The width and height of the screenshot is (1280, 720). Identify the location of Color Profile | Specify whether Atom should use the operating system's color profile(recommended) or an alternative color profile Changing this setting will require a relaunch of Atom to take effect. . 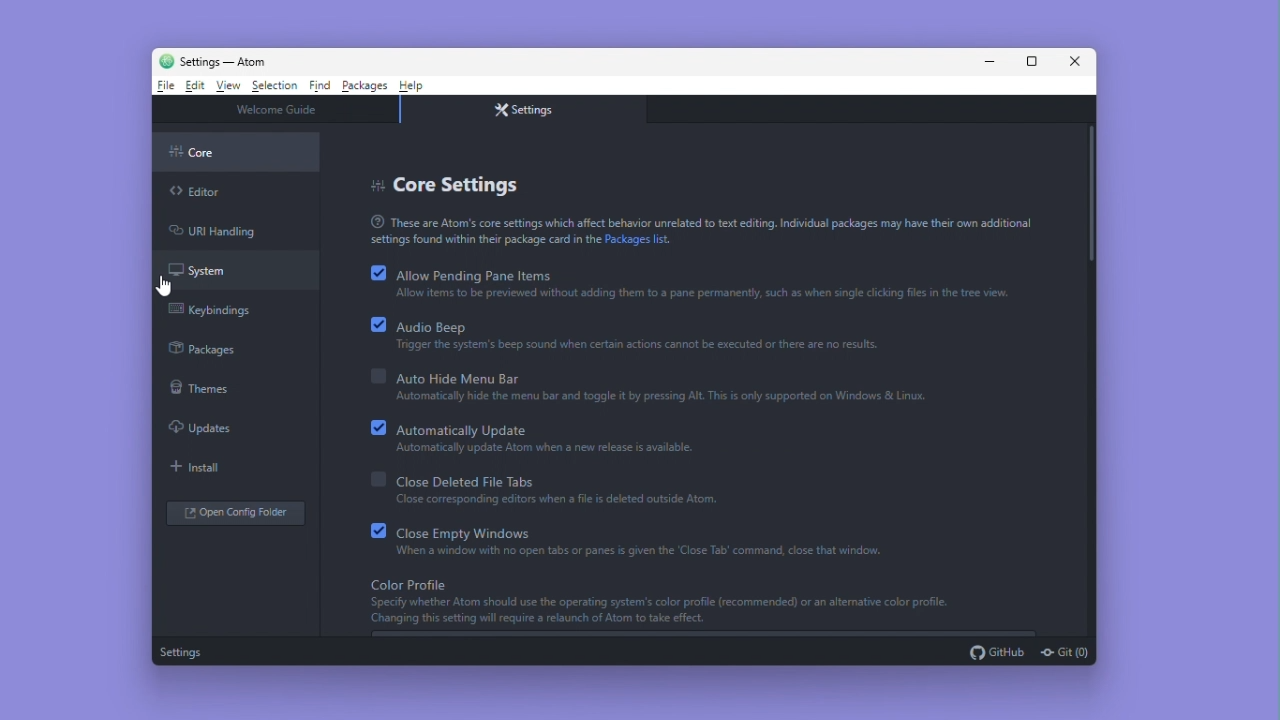
(655, 601).